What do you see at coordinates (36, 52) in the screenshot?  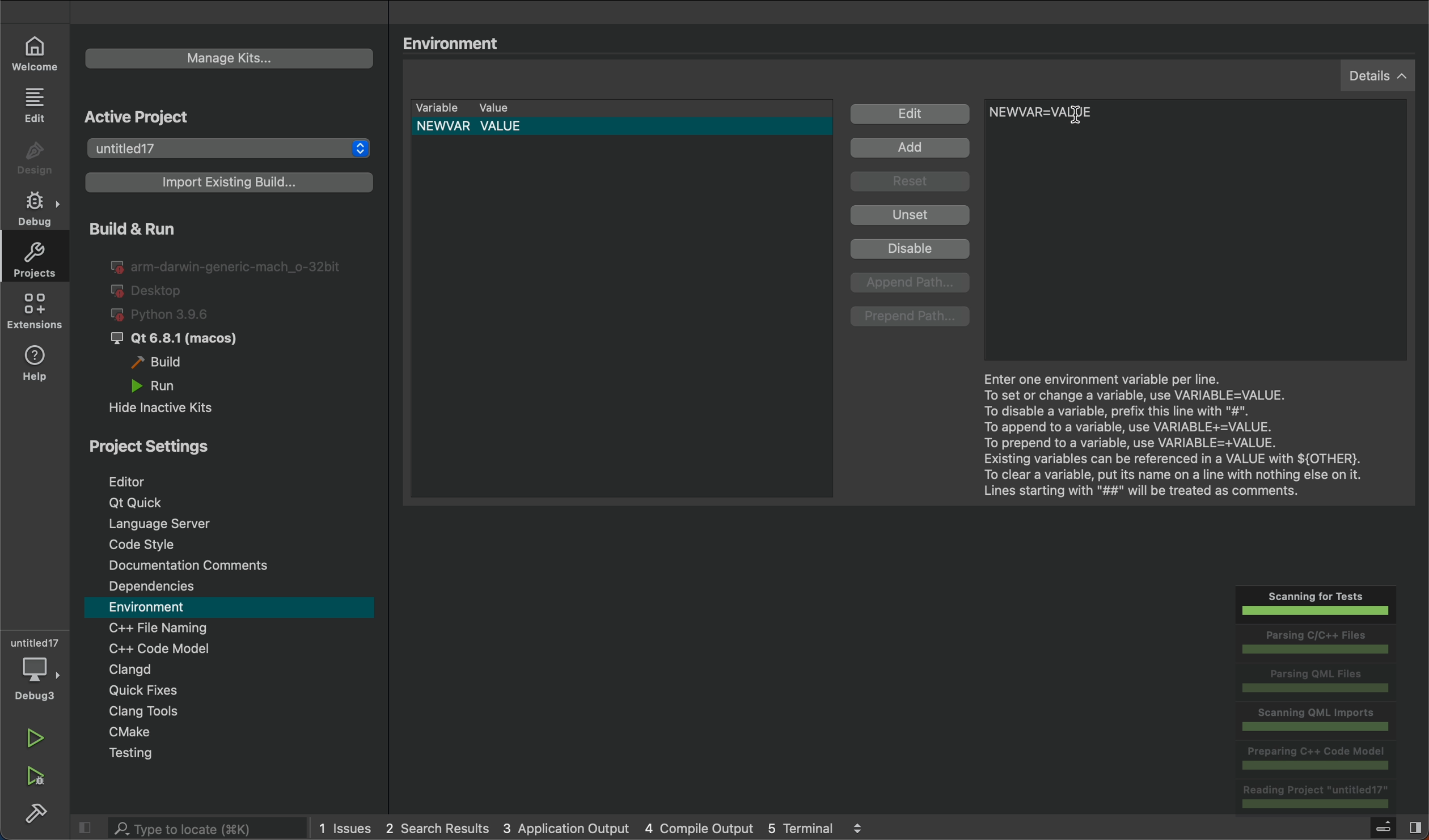 I see `welcome` at bounding box center [36, 52].